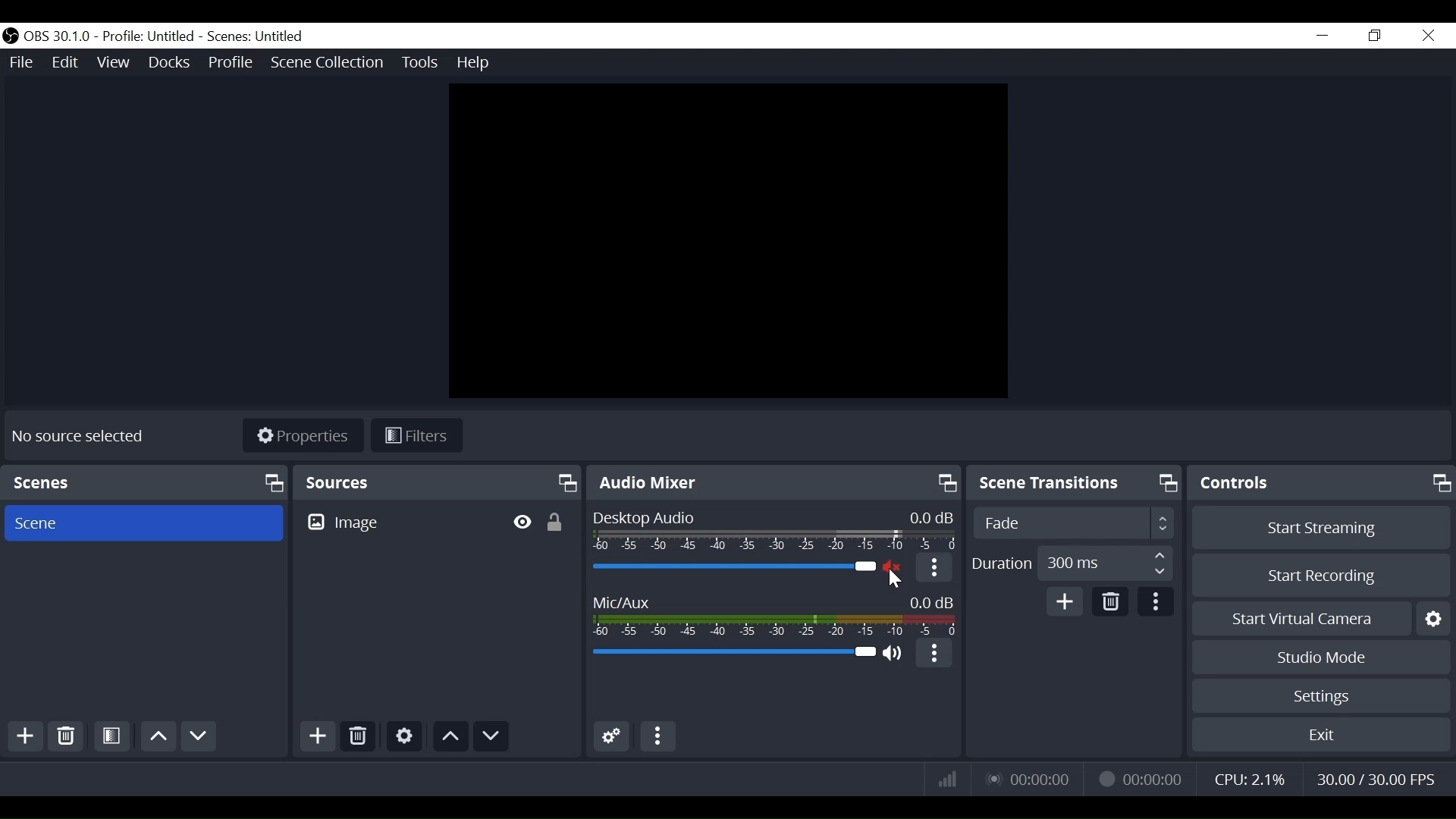 The width and height of the screenshot is (1456, 819). Describe the element at coordinates (1320, 575) in the screenshot. I see `Start Recording` at that location.